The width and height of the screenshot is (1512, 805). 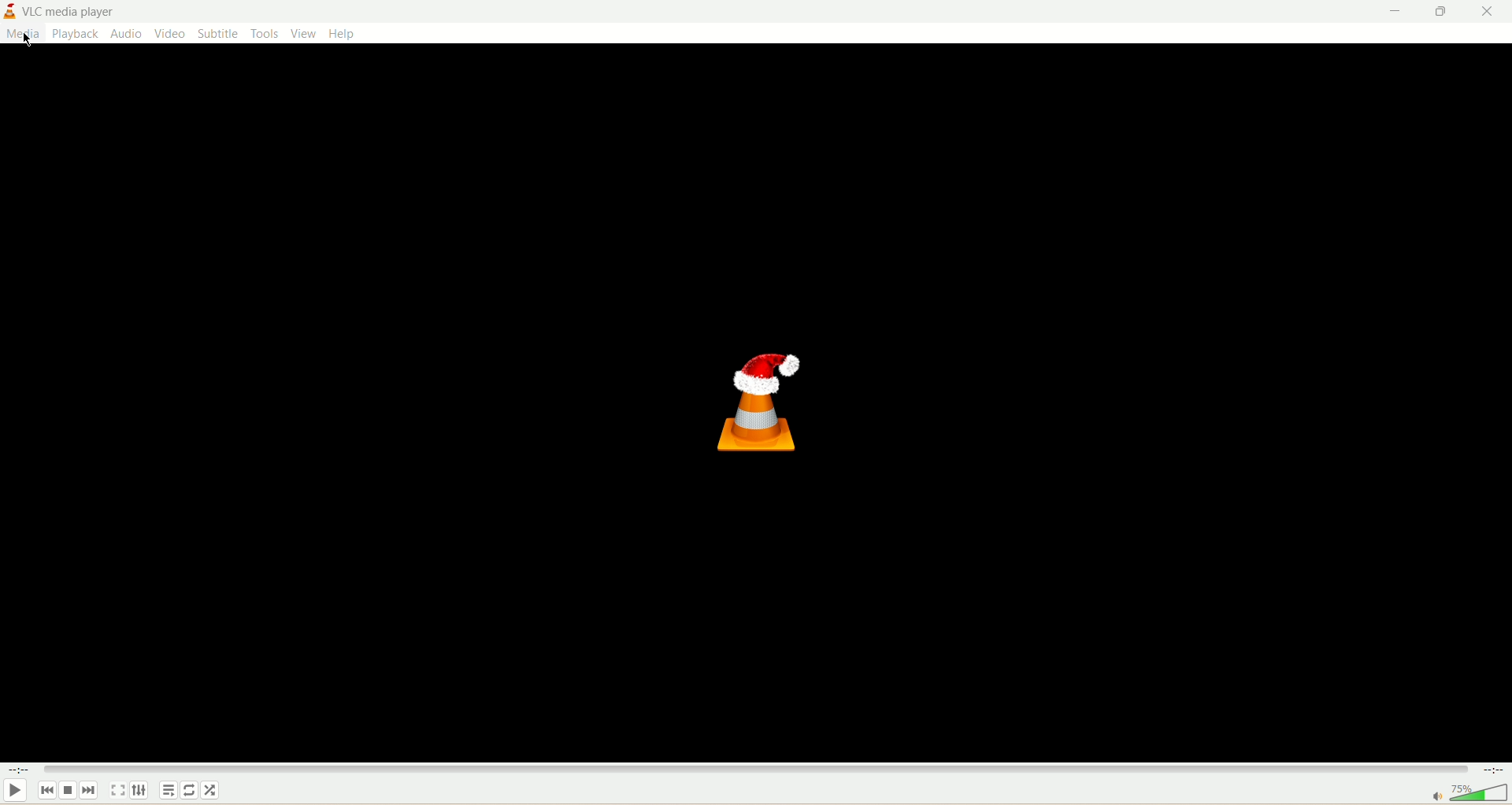 What do you see at coordinates (69, 792) in the screenshot?
I see `stop` at bounding box center [69, 792].